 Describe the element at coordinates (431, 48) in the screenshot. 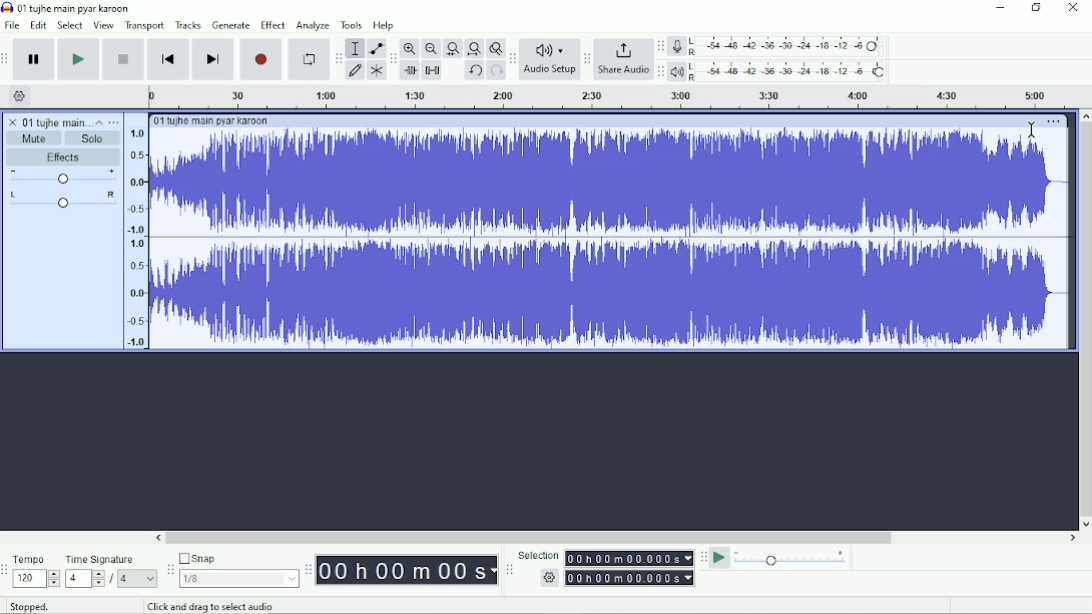

I see `Zoom Out` at that location.